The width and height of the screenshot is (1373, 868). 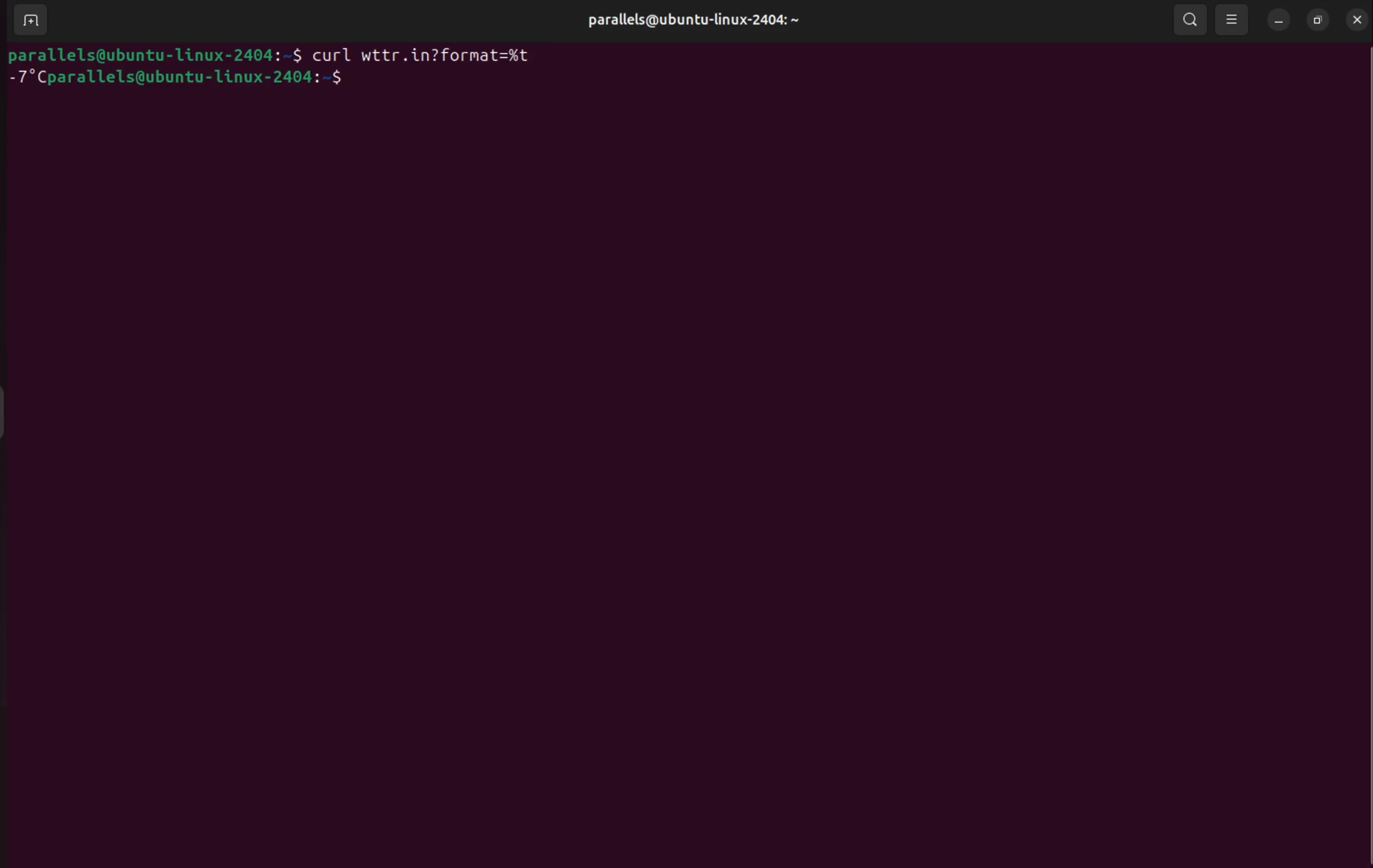 I want to click on add terminal, so click(x=30, y=20).